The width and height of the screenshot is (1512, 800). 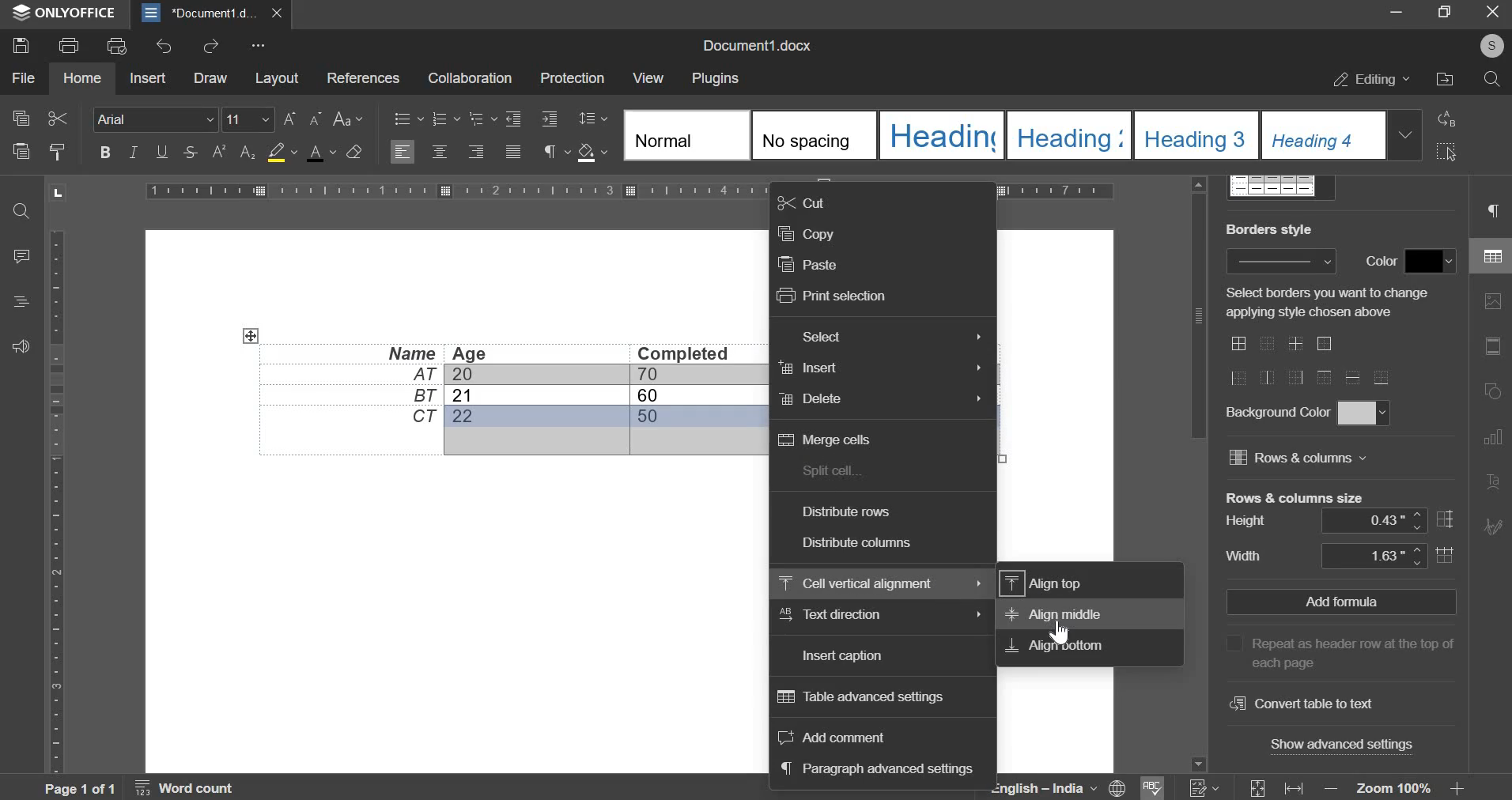 I want to click on collaboration, so click(x=469, y=77).